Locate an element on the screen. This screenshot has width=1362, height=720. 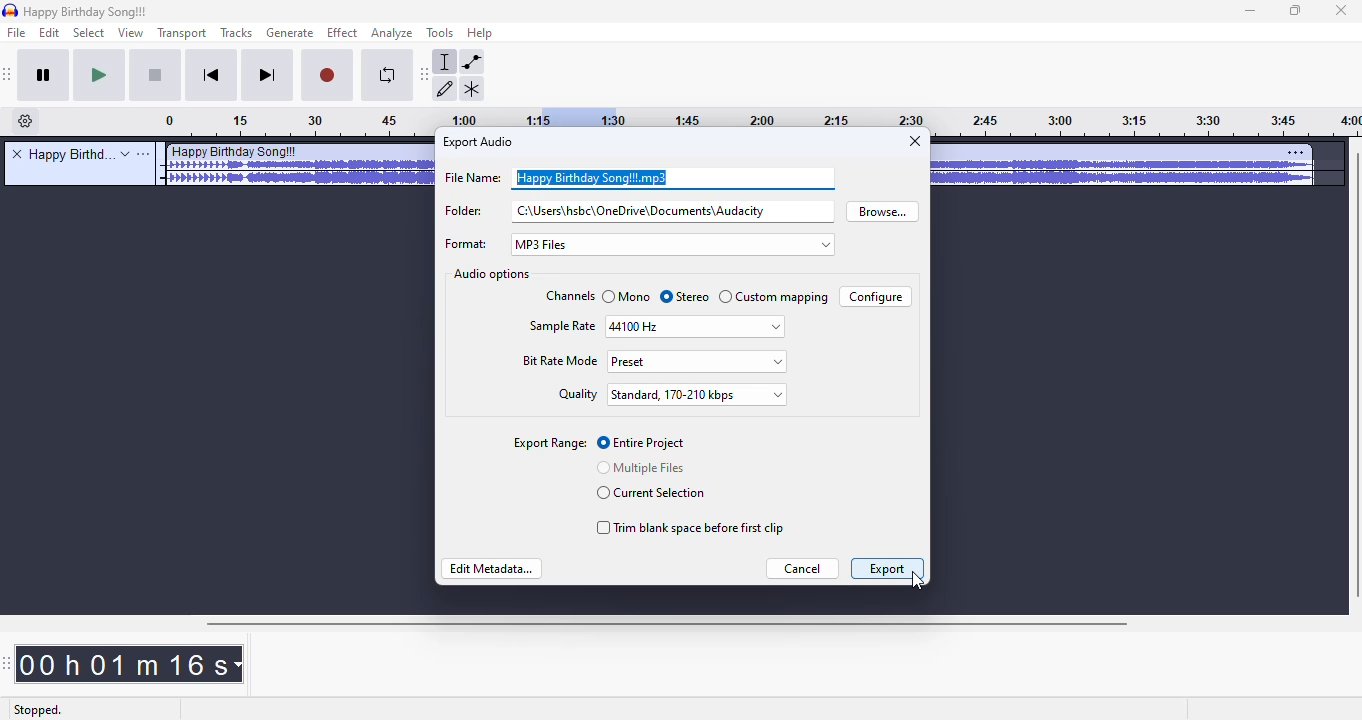
entire project is located at coordinates (642, 443).